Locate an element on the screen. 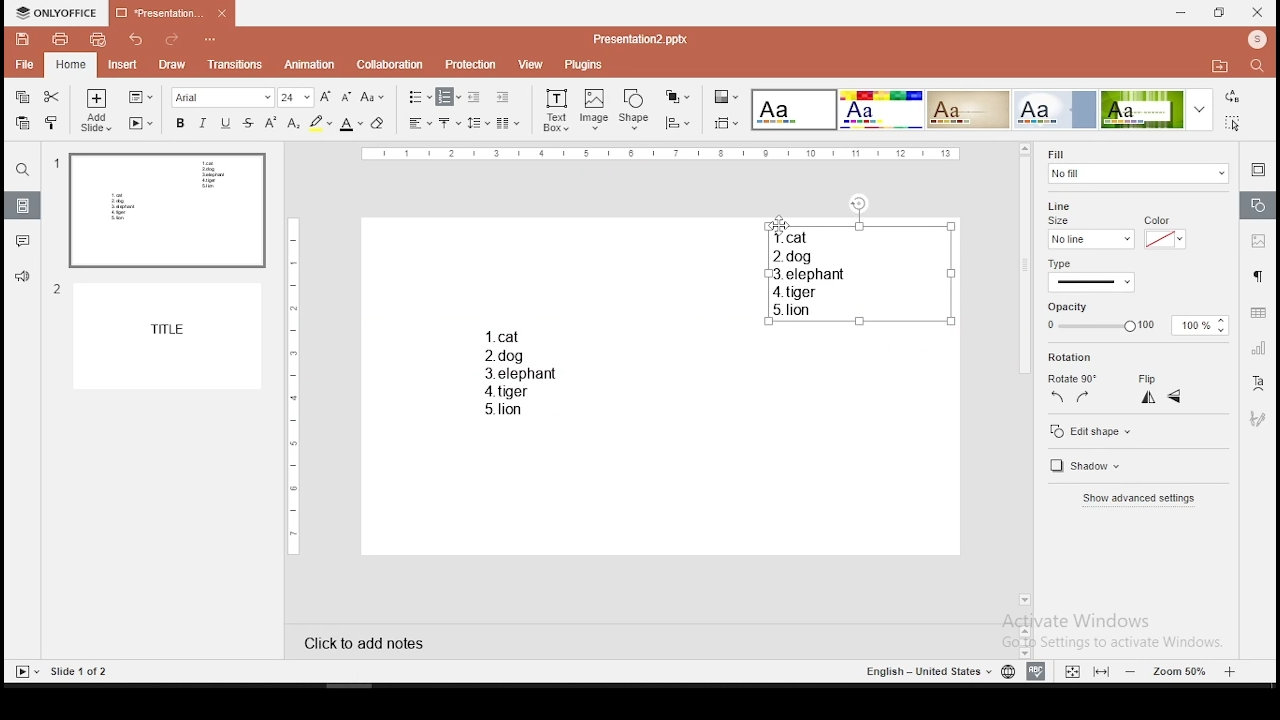  animation is located at coordinates (311, 65).